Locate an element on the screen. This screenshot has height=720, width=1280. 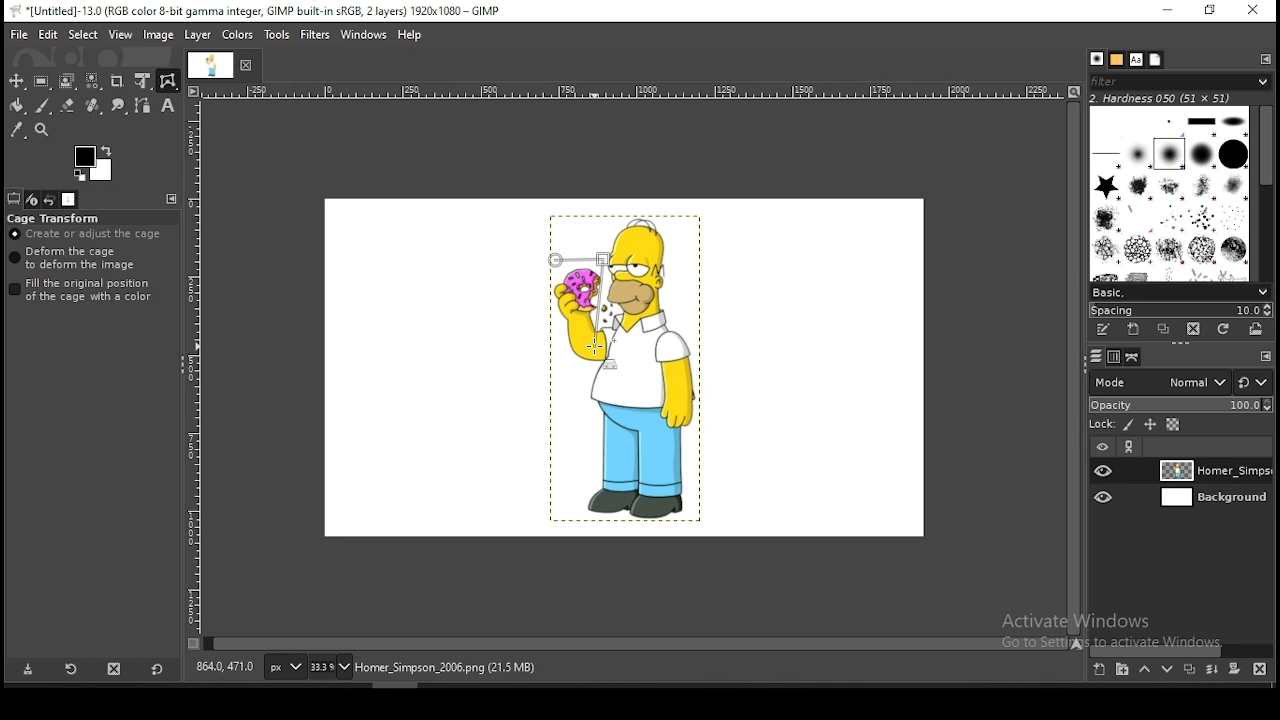
create a new brush is located at coordinates (1136, 331).